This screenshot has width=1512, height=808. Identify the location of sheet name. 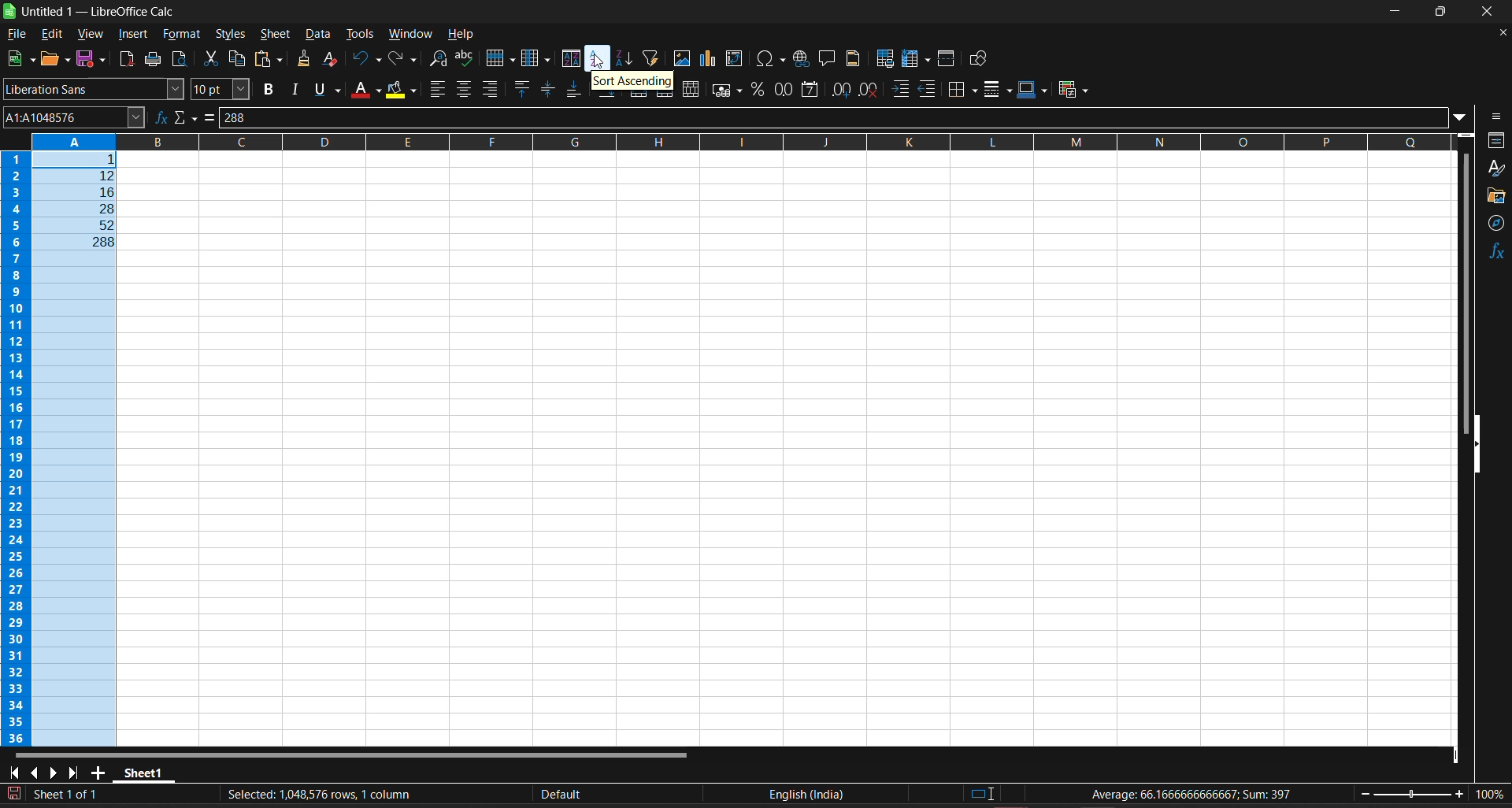
(145, 771).